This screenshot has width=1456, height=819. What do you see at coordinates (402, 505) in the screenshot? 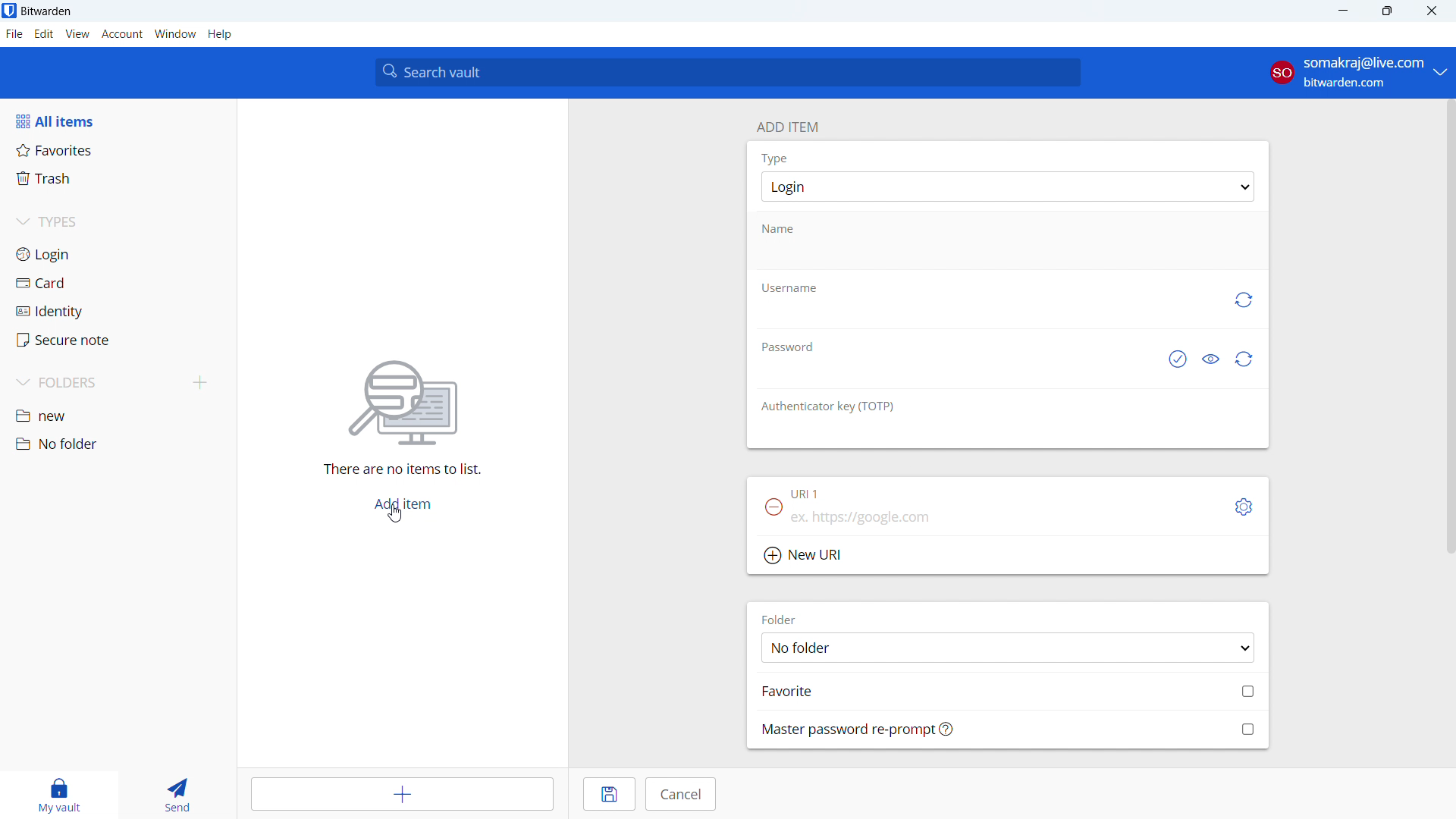
I see `add item` at bounding box center [402, 505].